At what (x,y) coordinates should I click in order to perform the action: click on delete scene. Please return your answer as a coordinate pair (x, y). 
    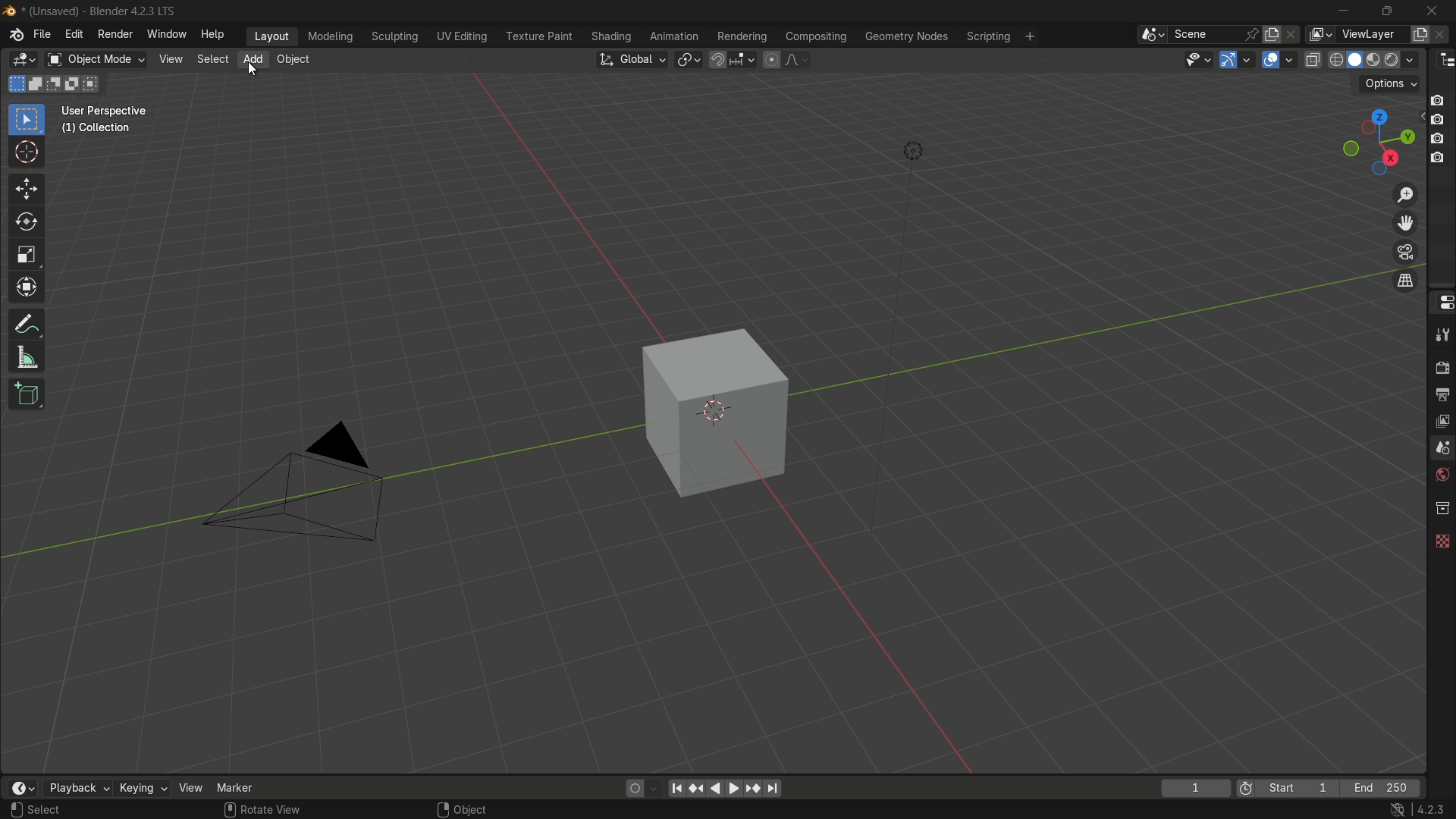
    Looking at the image, I should click on (1291, 35).